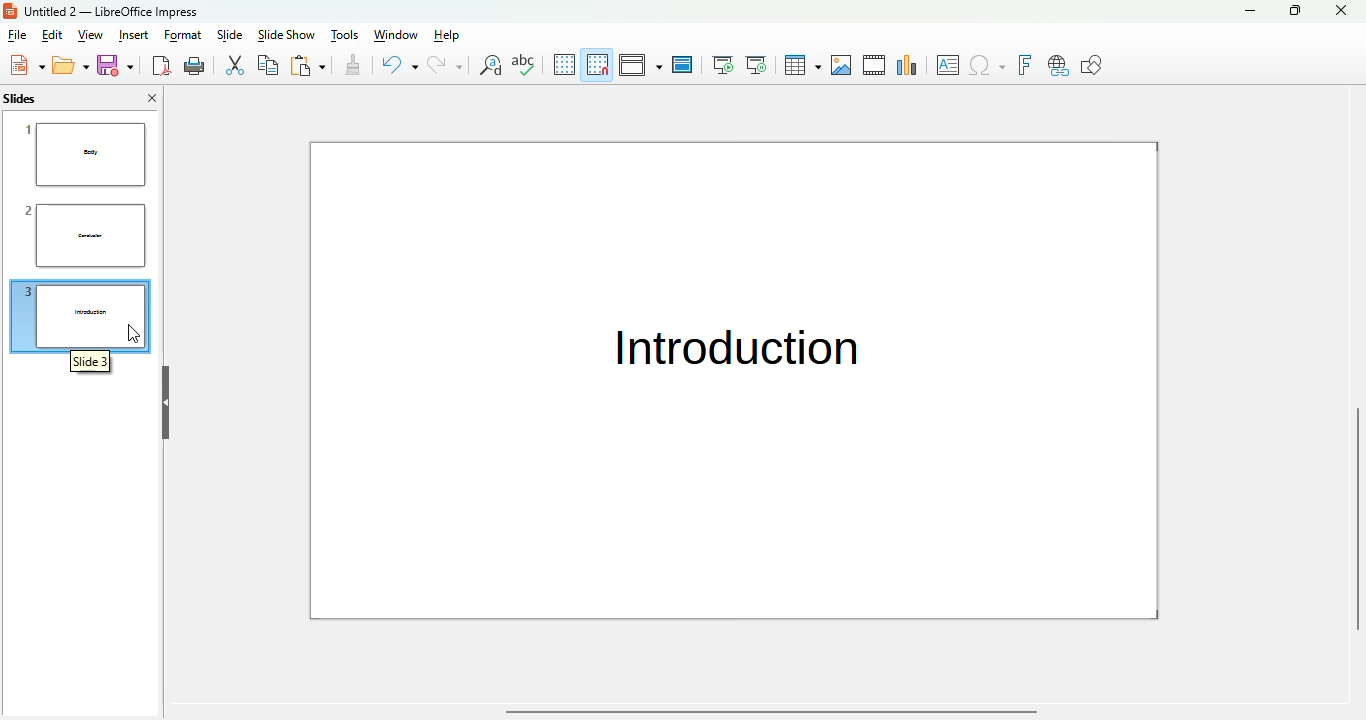 The image size is (1366, 720). I want to click on view, so click(90, 35).